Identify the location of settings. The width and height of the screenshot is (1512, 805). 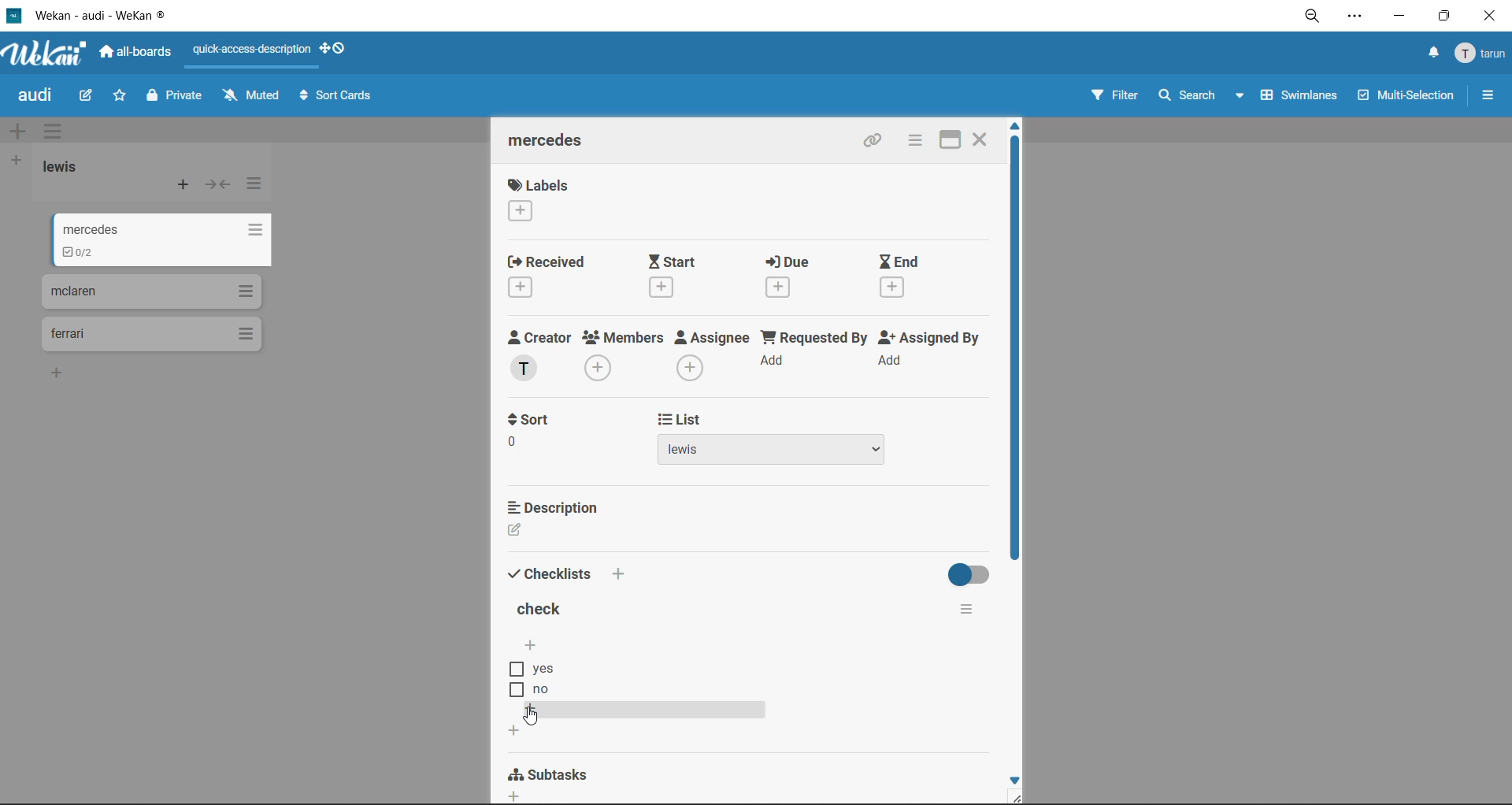
(1355, 16).